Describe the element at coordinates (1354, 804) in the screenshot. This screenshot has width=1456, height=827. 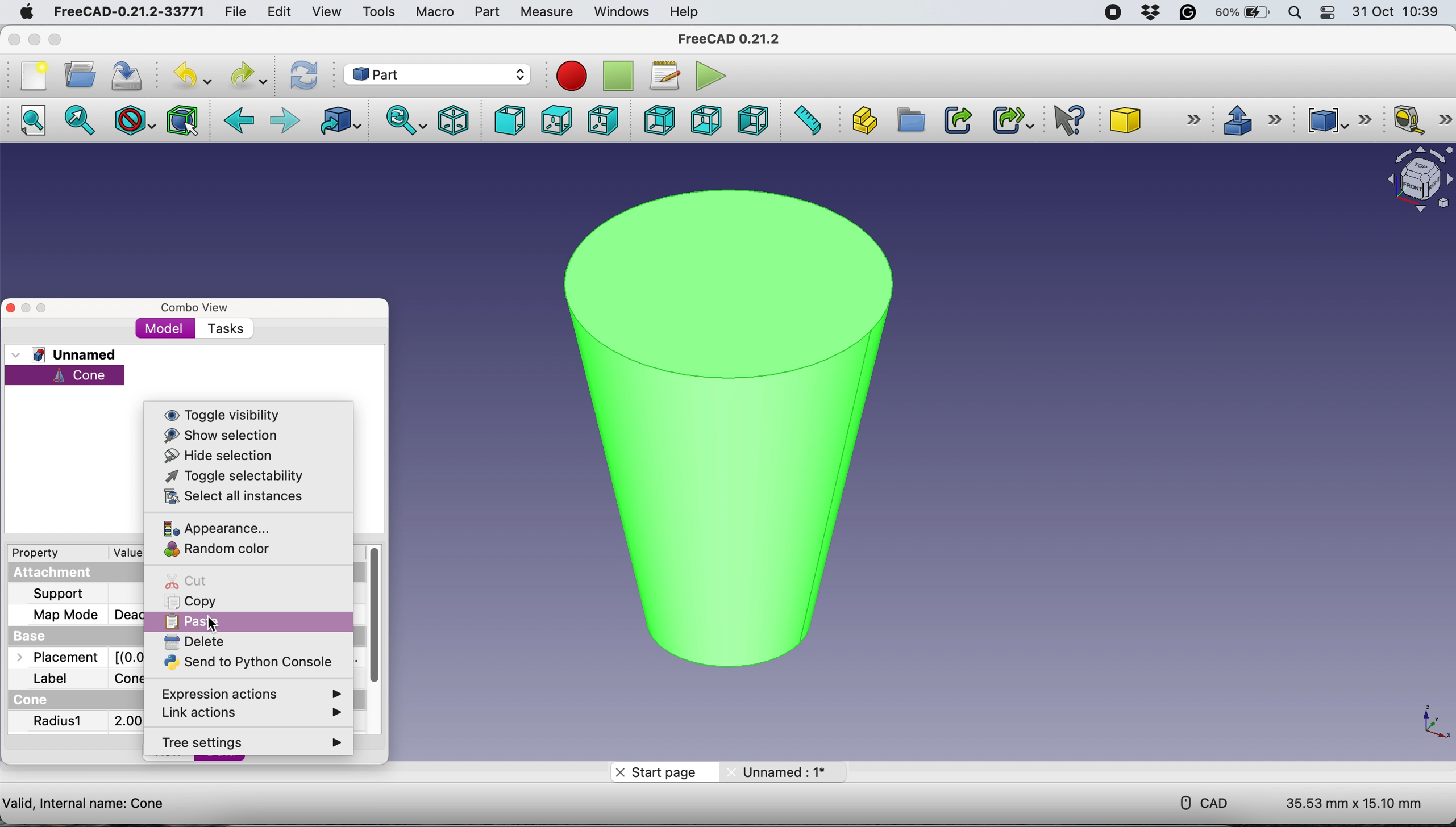
I see `35.53 mm x 15.10 mm` at that location.